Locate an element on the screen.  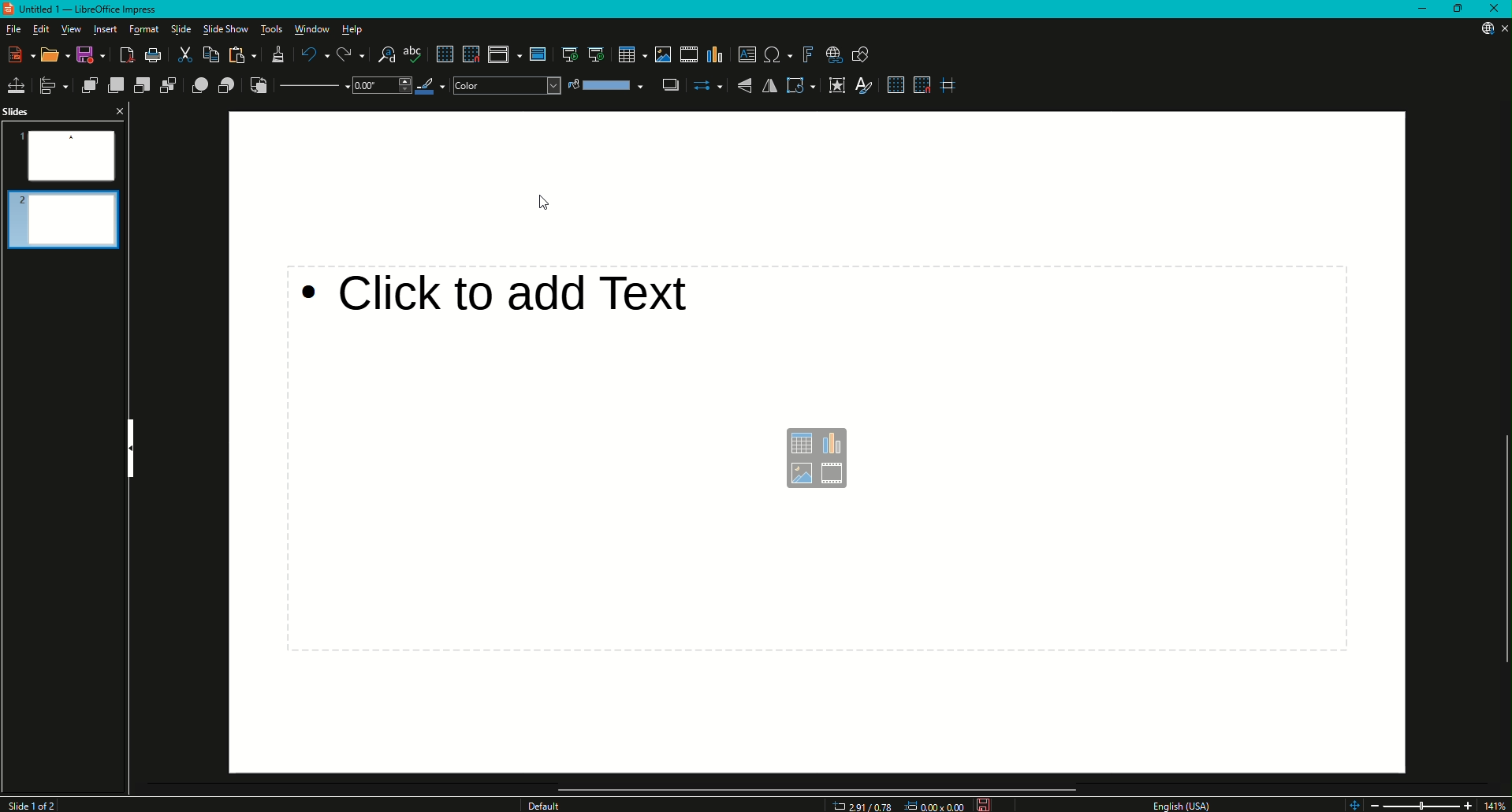
Window is located at coordinates (313, 28).